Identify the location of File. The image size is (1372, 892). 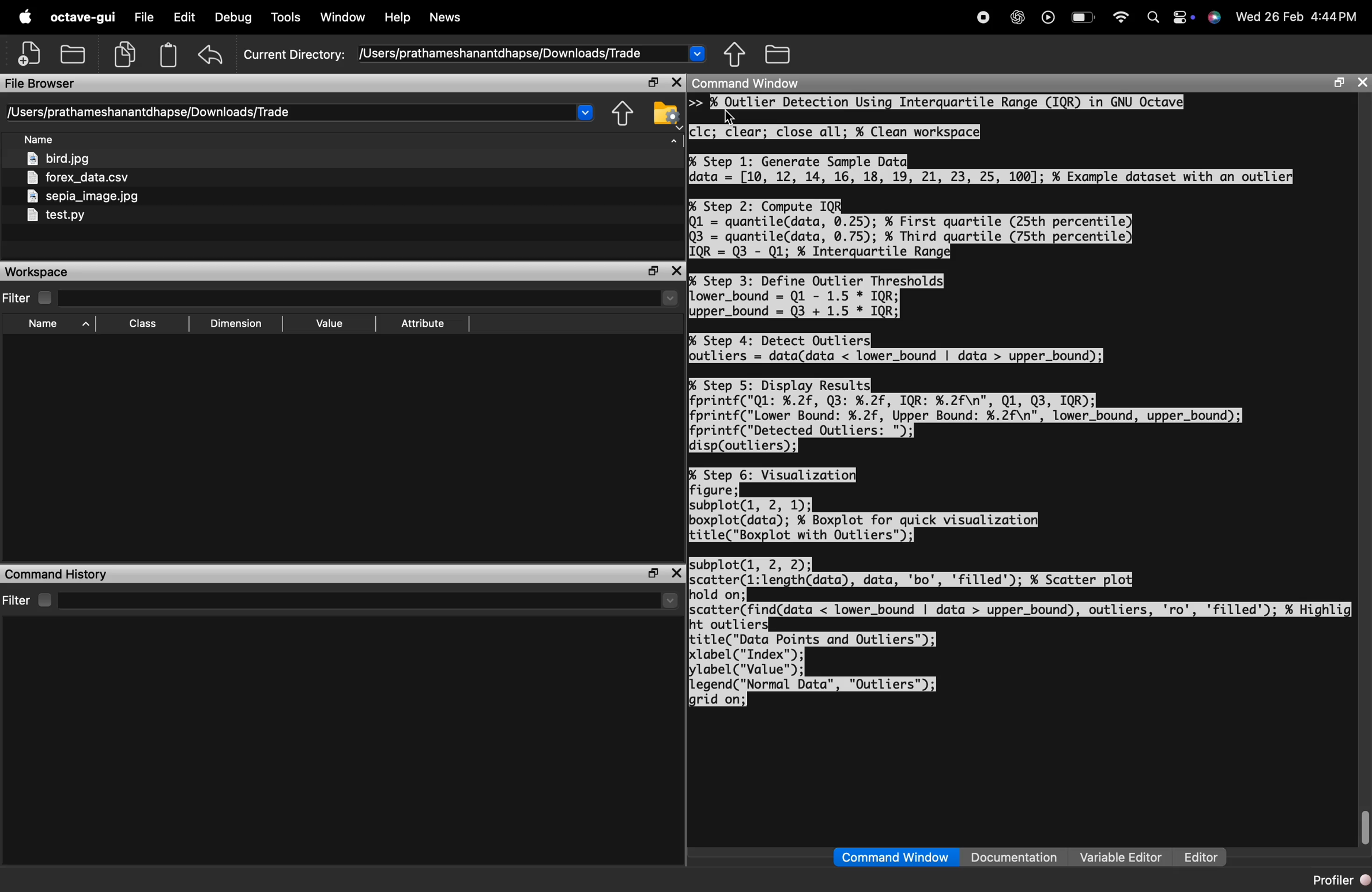
(145, 17).